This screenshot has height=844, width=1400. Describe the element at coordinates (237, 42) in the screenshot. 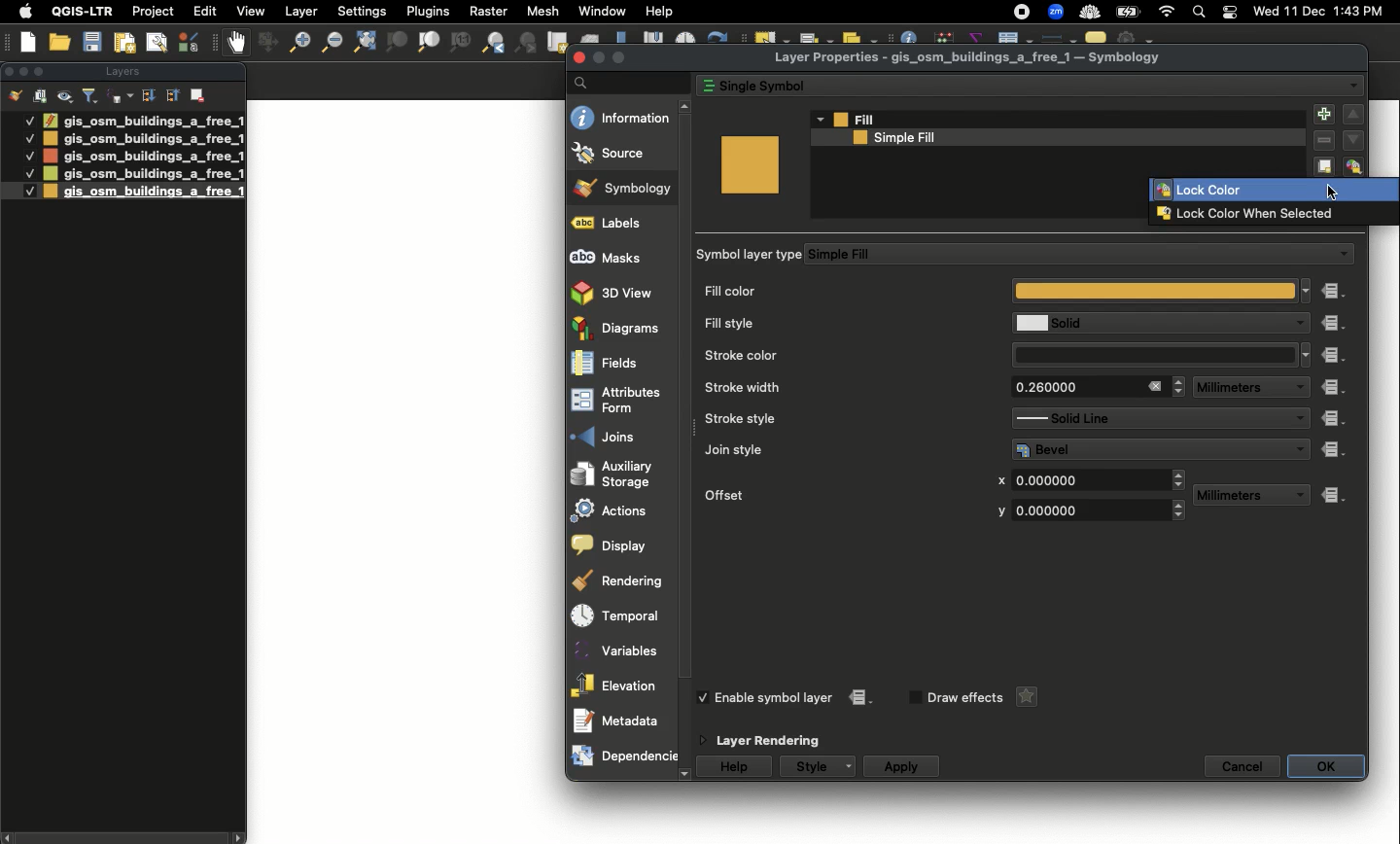

I see `Grab` at that location.